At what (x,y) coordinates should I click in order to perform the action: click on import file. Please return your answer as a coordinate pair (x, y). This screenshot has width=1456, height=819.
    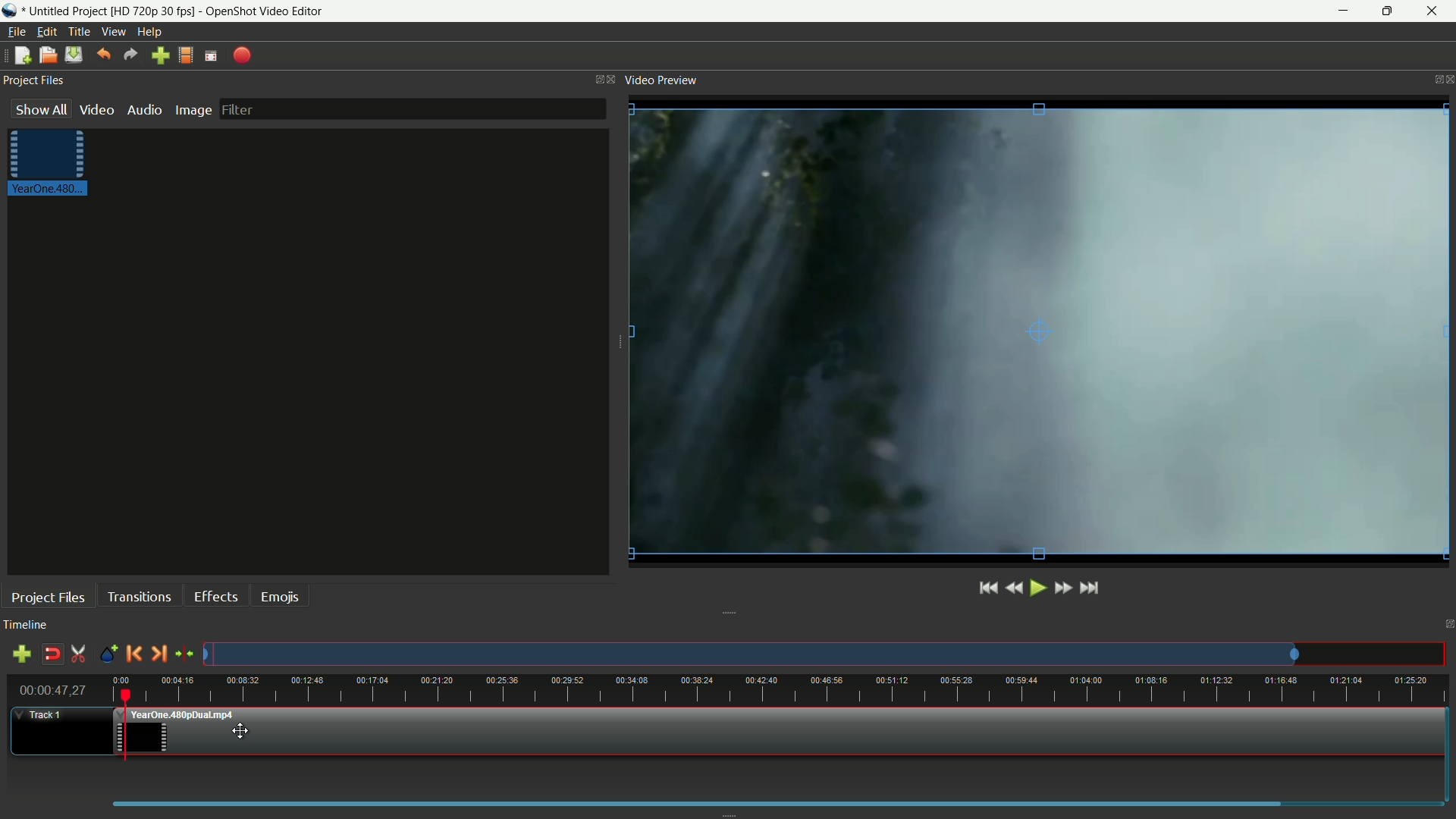
    Looking at the image, I should click on (160, 56).